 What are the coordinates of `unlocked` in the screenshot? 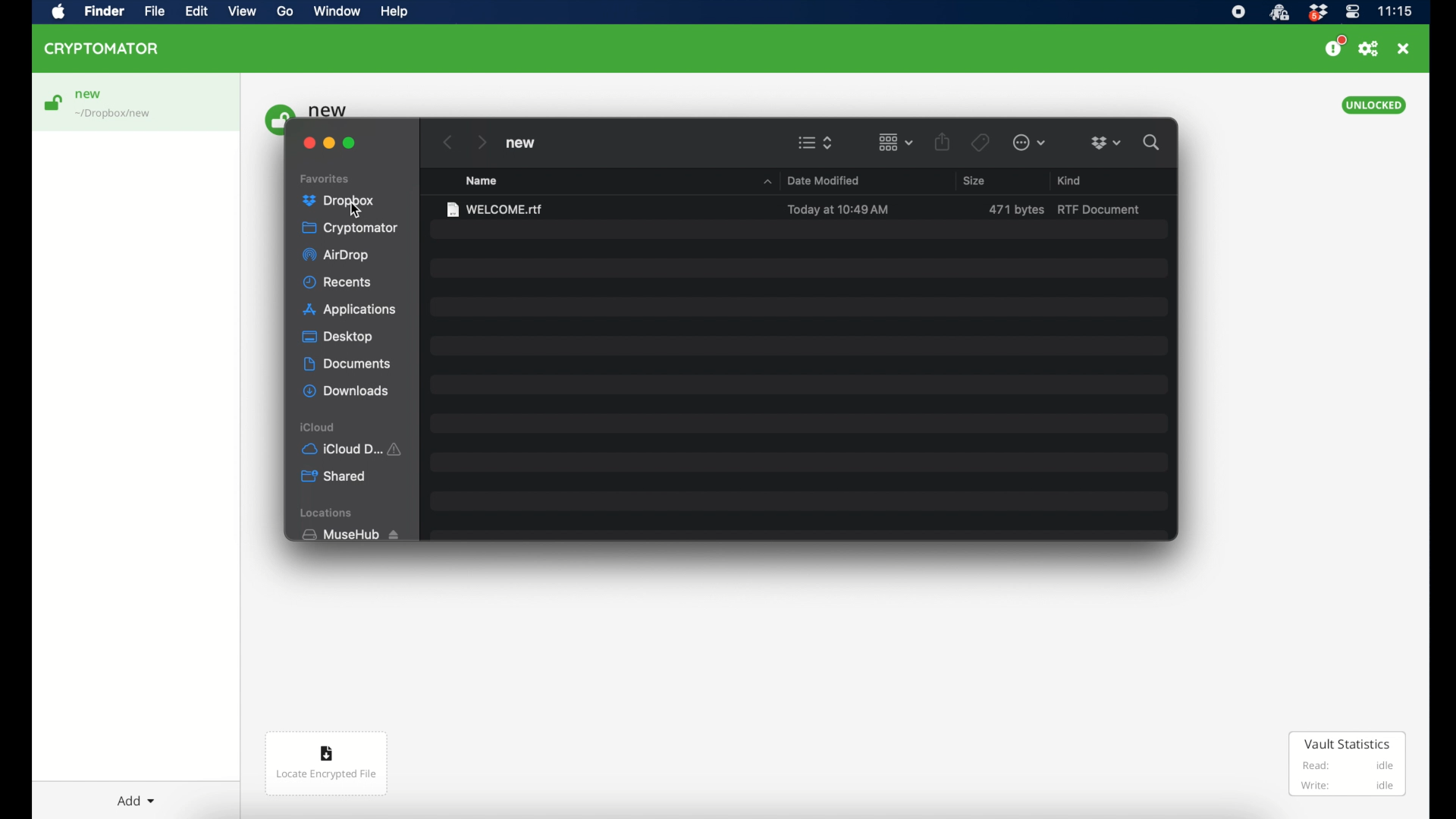 It's located at (1374, 105).